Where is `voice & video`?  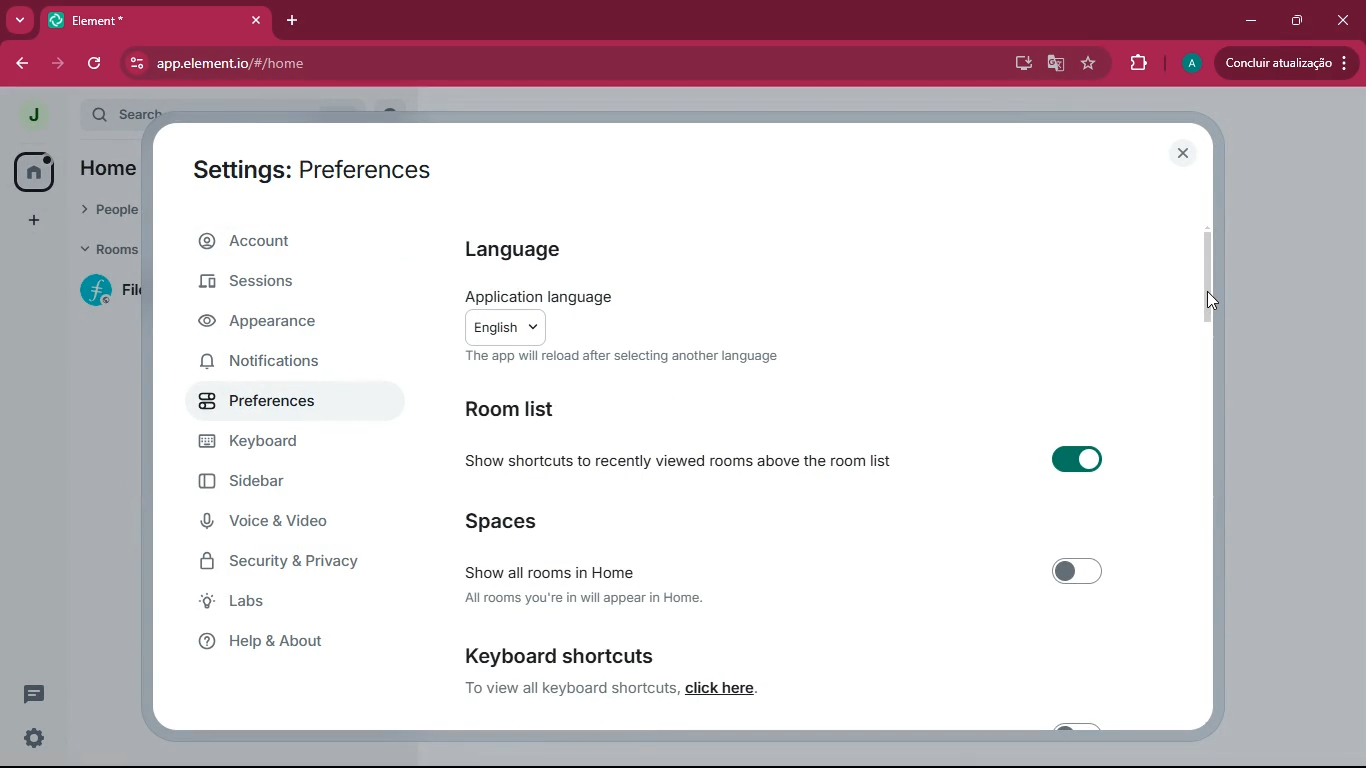
voice & video is located at coordinates (281, 521).